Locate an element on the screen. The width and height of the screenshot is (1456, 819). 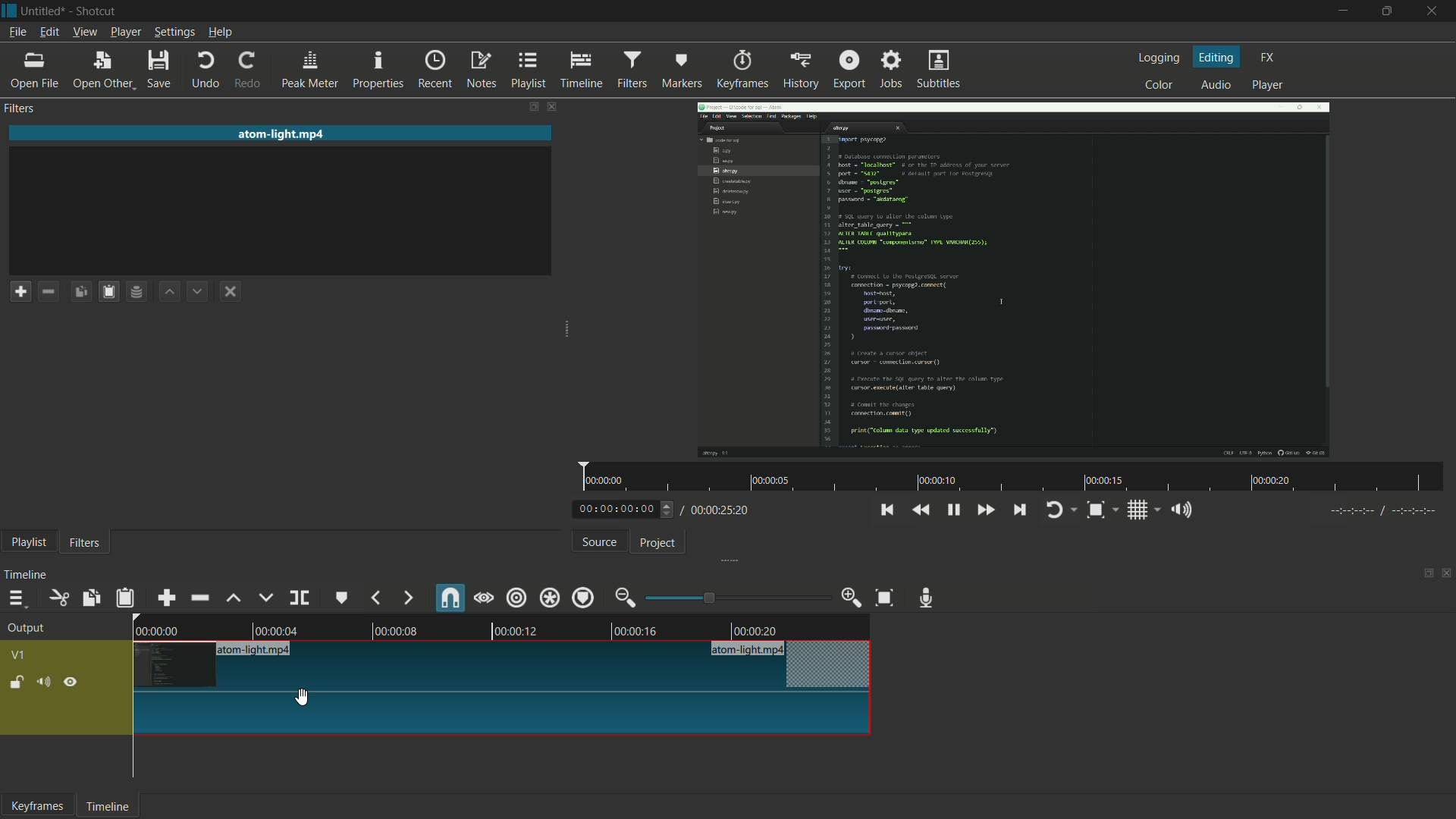
total time is located at coordinates (717, 511).